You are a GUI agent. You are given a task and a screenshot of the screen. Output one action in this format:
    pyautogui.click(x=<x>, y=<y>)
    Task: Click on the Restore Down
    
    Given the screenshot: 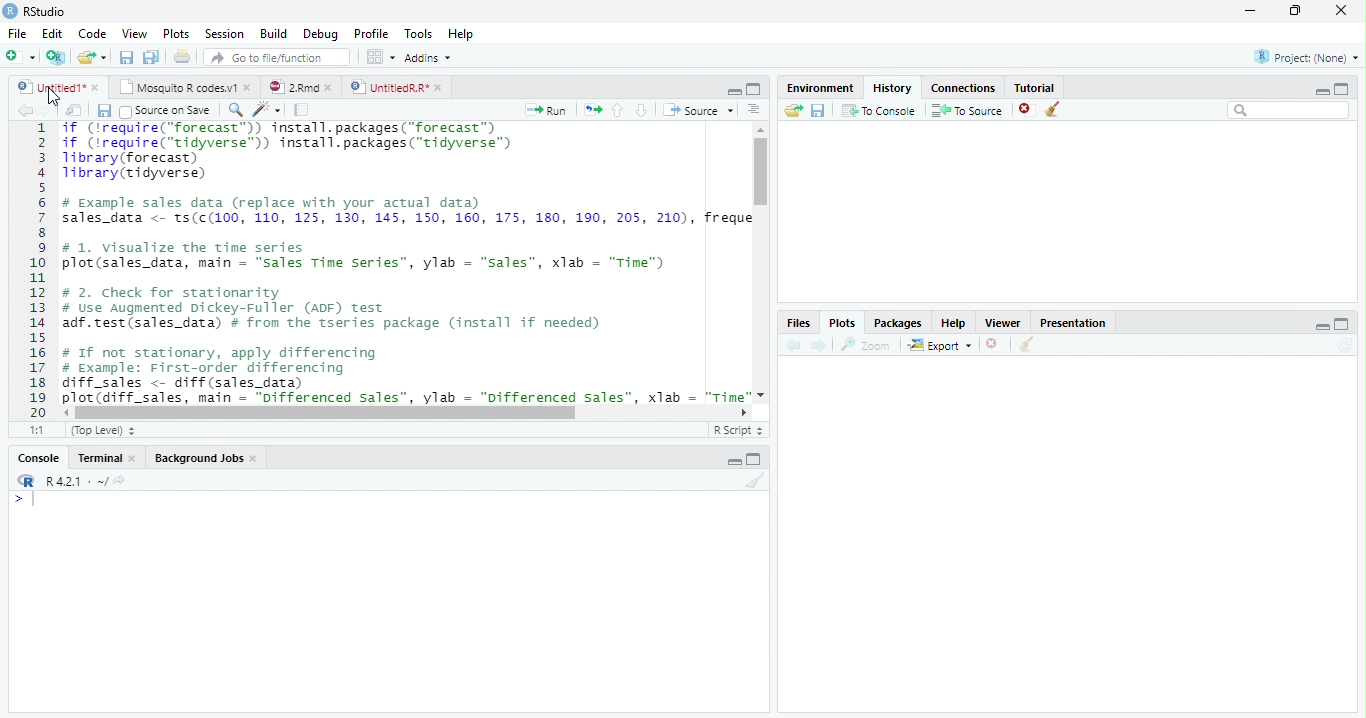 What is the action you would take?
    pyautogui.click(x=1296, y=12)
    